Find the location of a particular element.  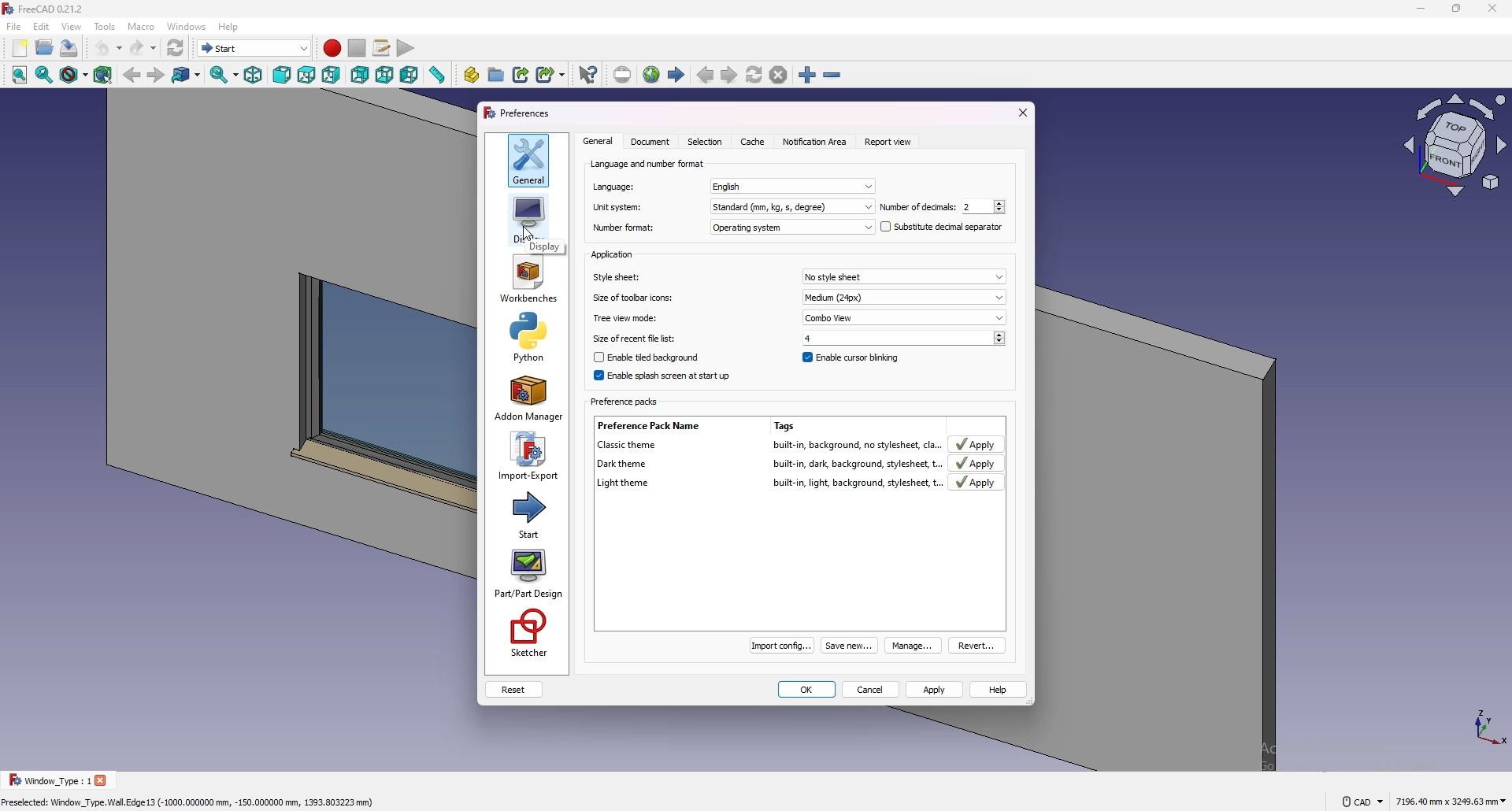

fit all is located at coordinates (17, 76).